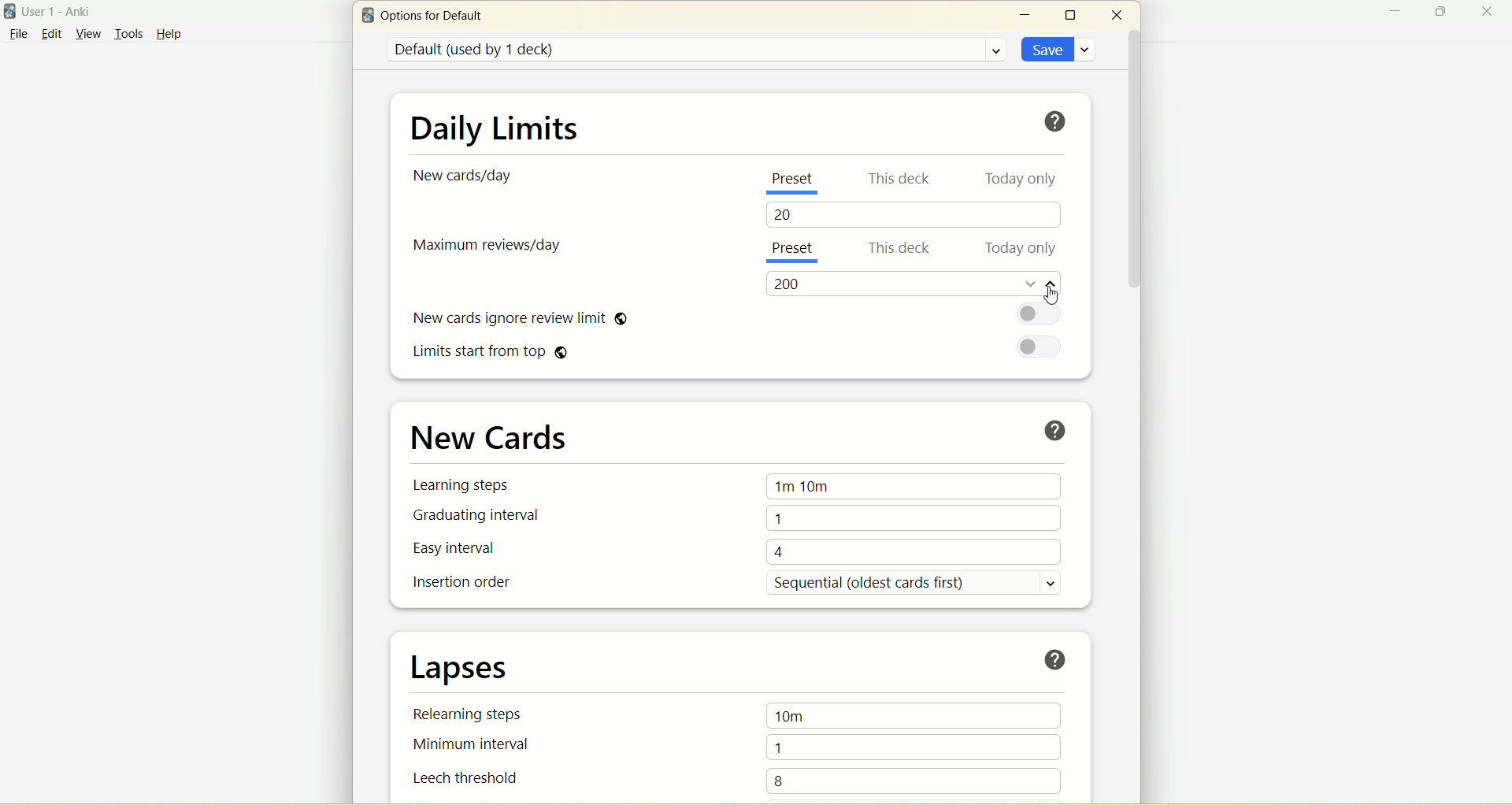  What do you see at coordinates (1026, 13) in the screenshot?
I see `minimize` at bounding box center [1026, 13].